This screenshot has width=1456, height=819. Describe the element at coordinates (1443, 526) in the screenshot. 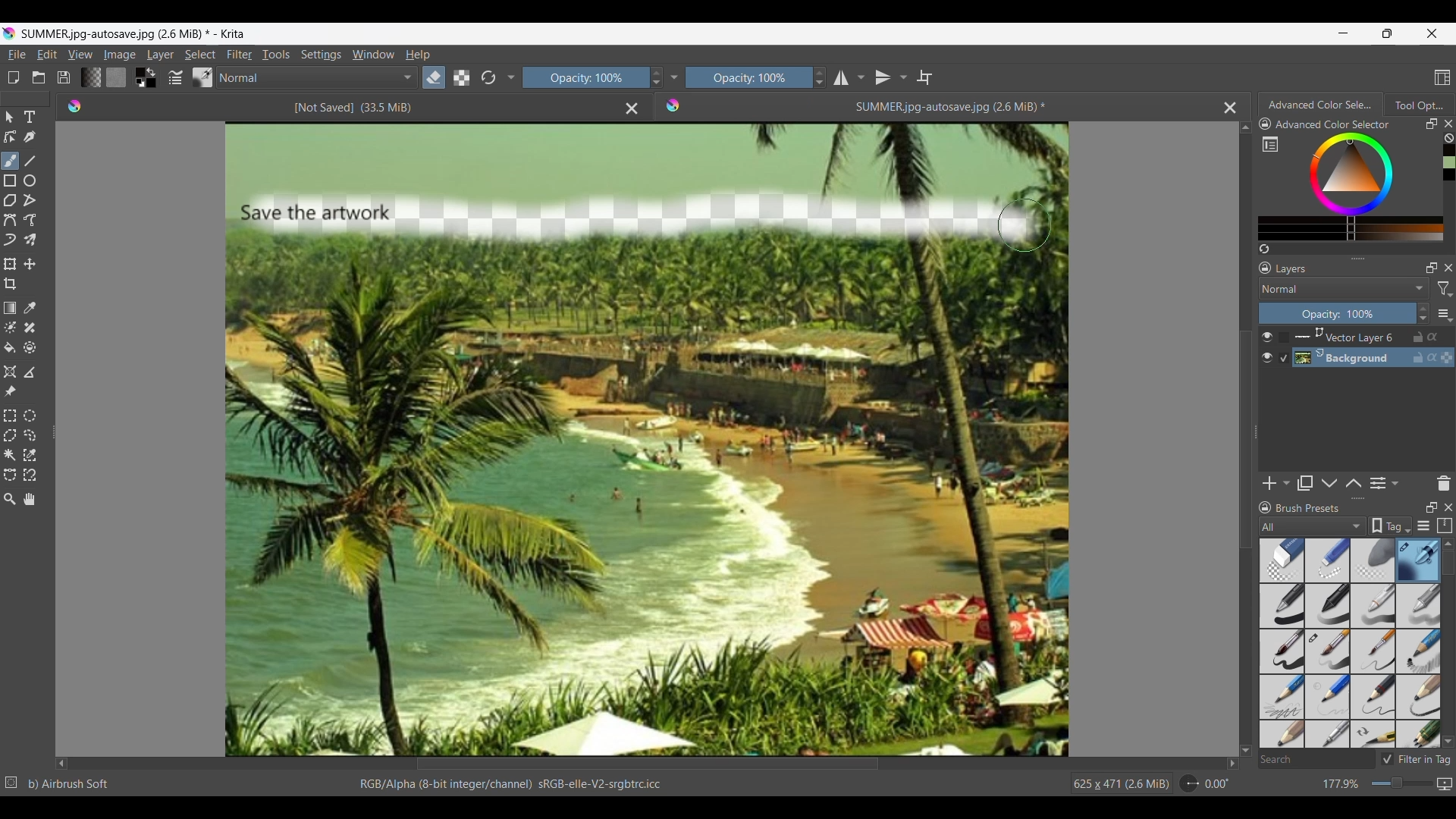

I see `Storage resources` at that location.